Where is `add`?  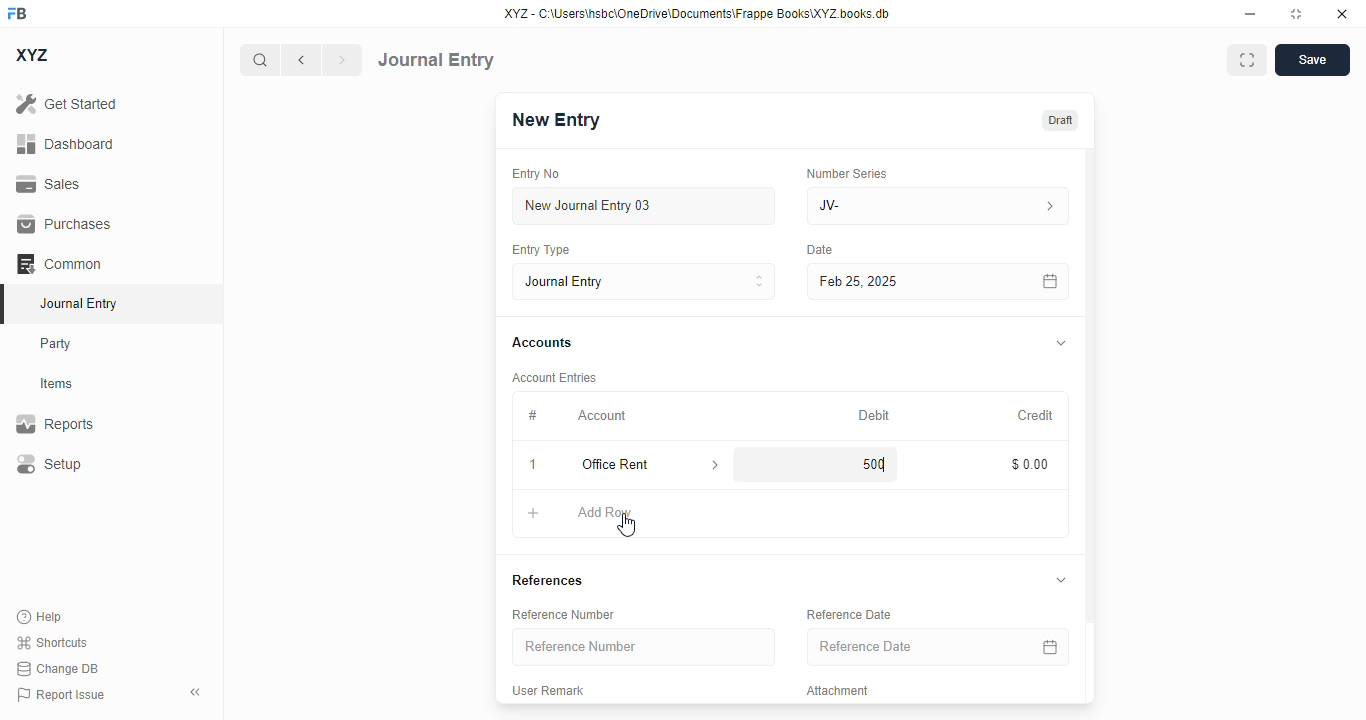
add is located at coordinates (534, 512).